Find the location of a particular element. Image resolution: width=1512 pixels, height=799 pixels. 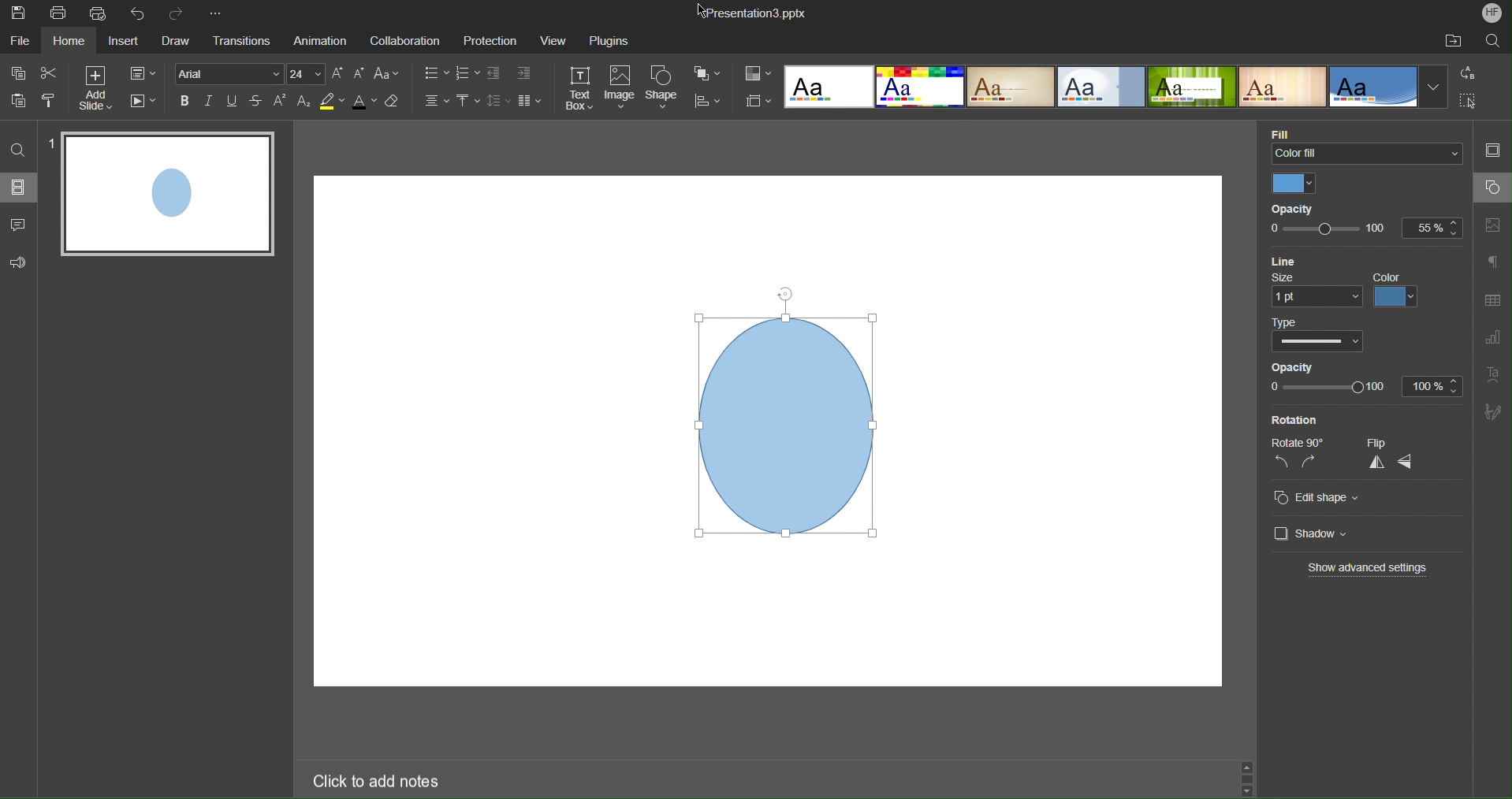

Table is located at coordinates (1493, 299).